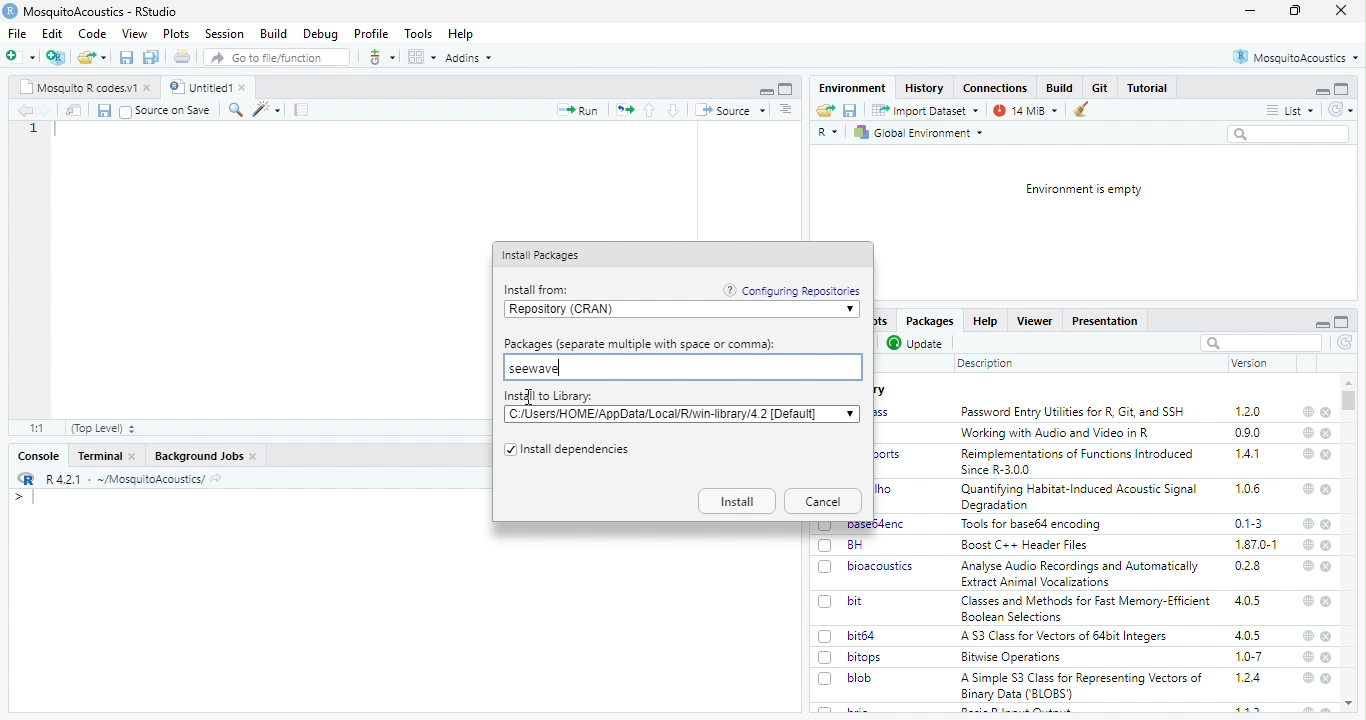  Describe the element at coordinates (226, 34) in the screenshot. I see `Session` at that location.